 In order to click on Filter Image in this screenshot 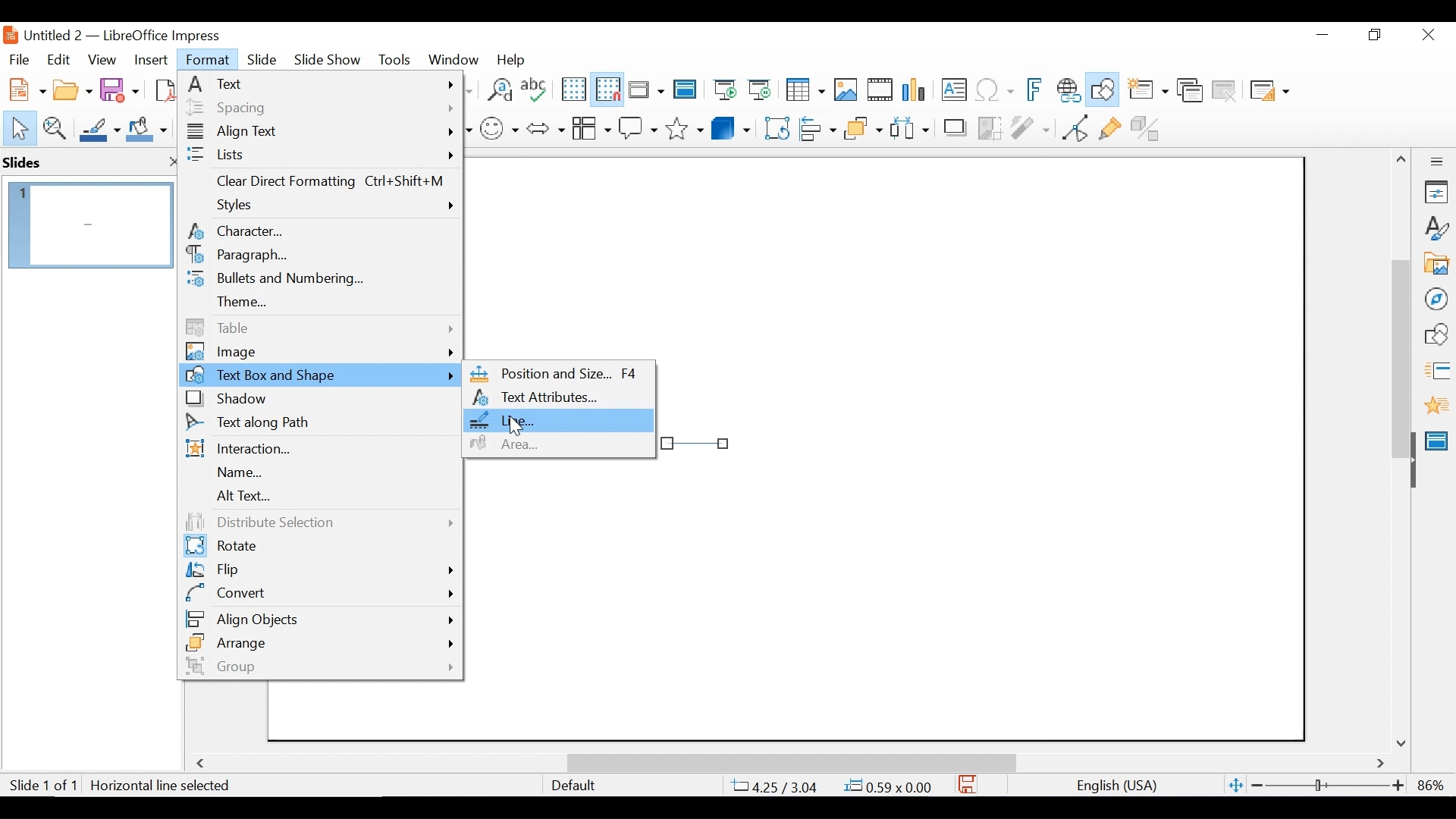, I will do `click(1030, 127)`.